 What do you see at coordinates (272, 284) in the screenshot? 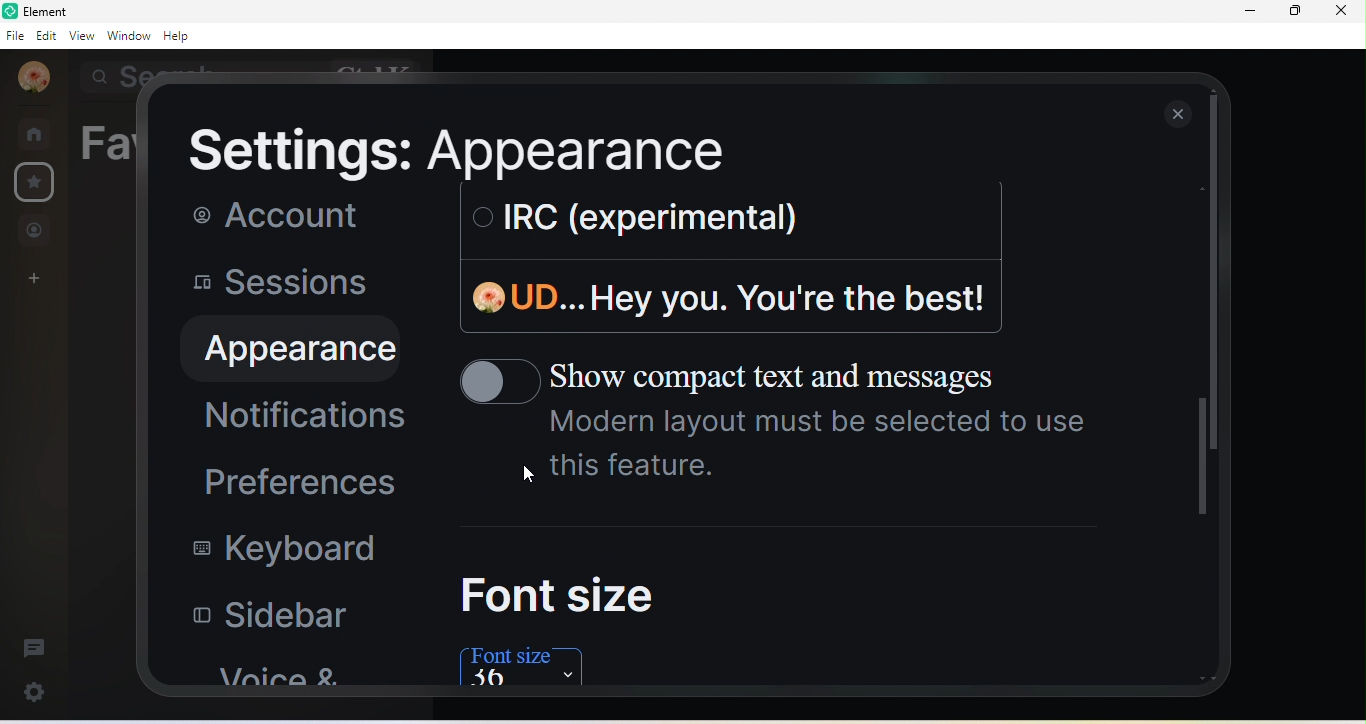
I see `sessions` at bounding box center [272, 284].